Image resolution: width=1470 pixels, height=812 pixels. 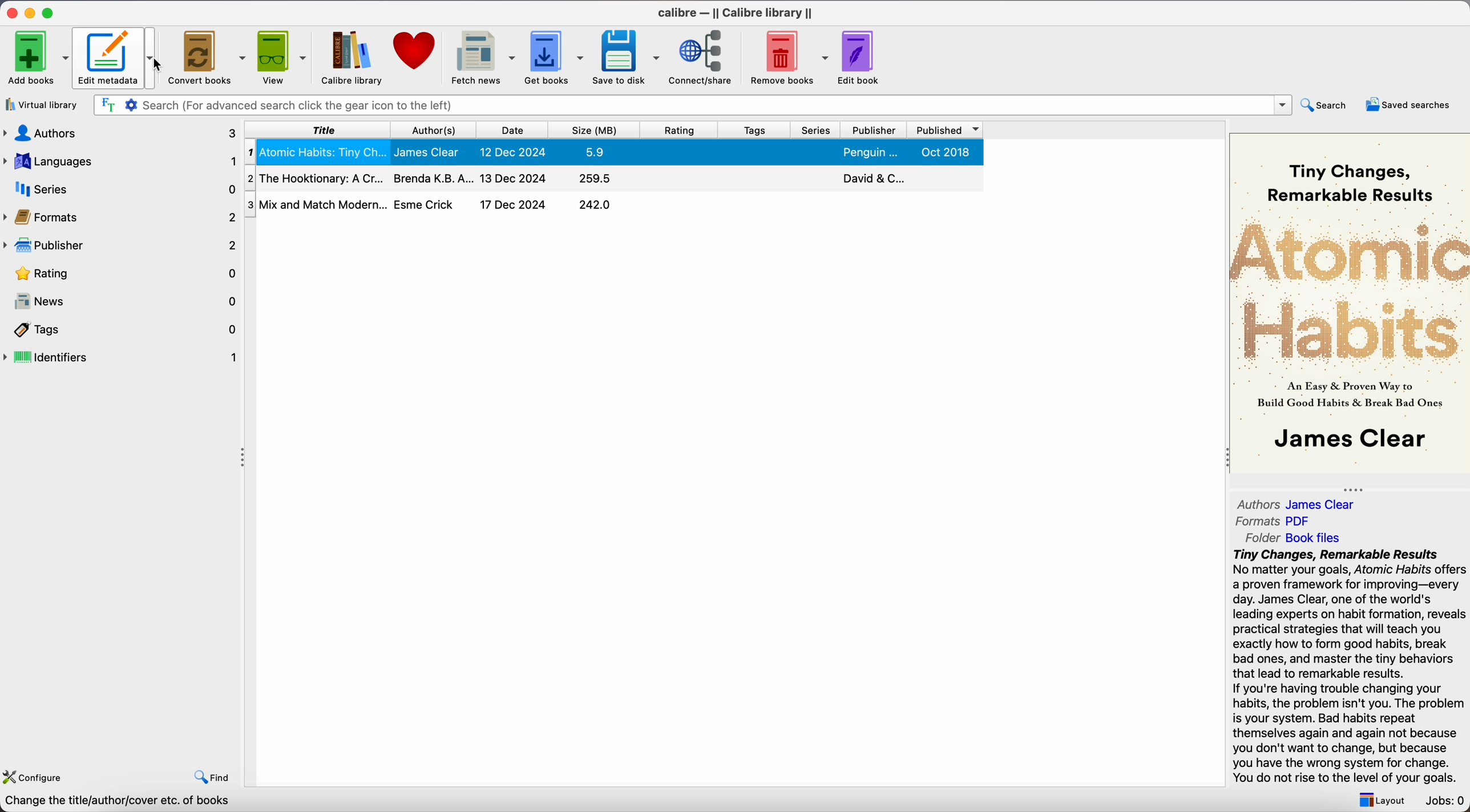 I want to click on date, so click(x=512, y=130).